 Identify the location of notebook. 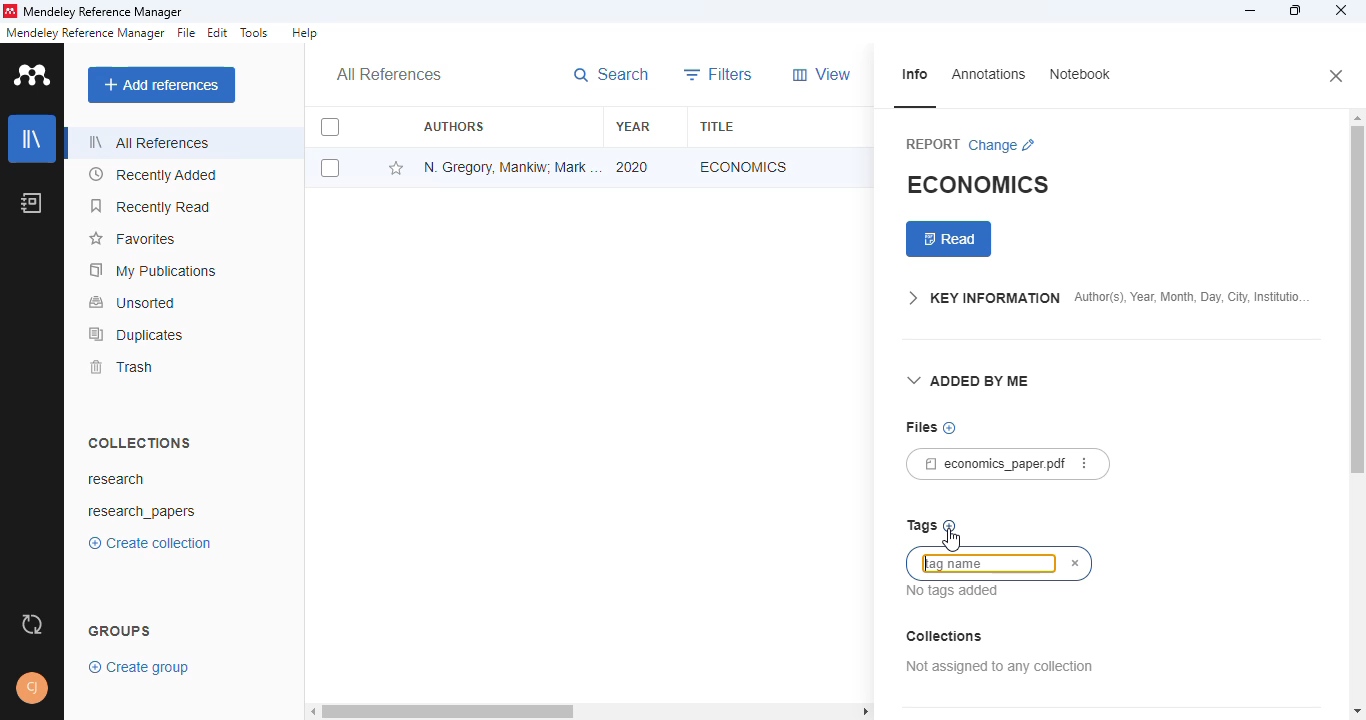
(32, 203).